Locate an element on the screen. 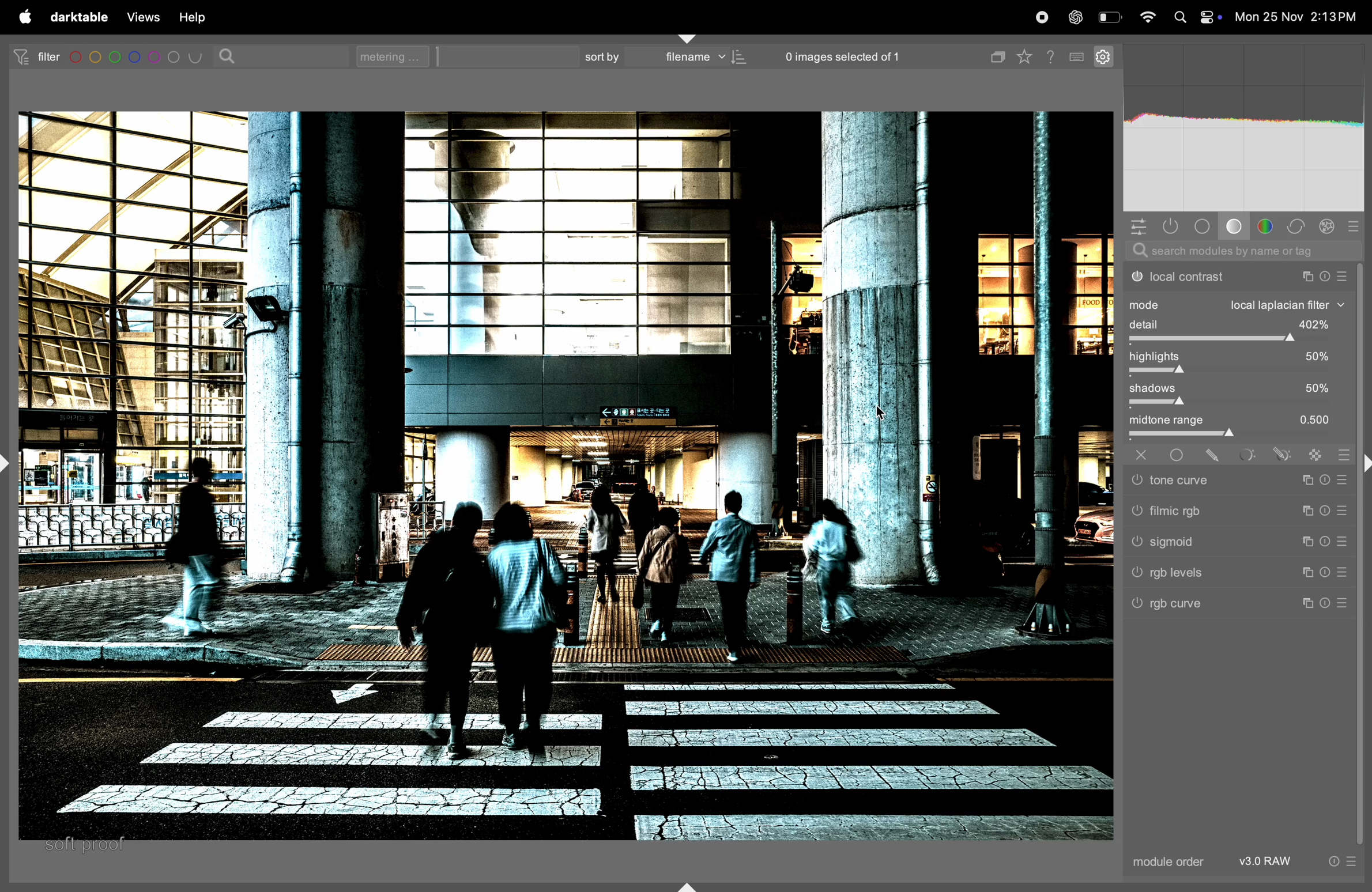  mode is located at coordinates (1238, 305).